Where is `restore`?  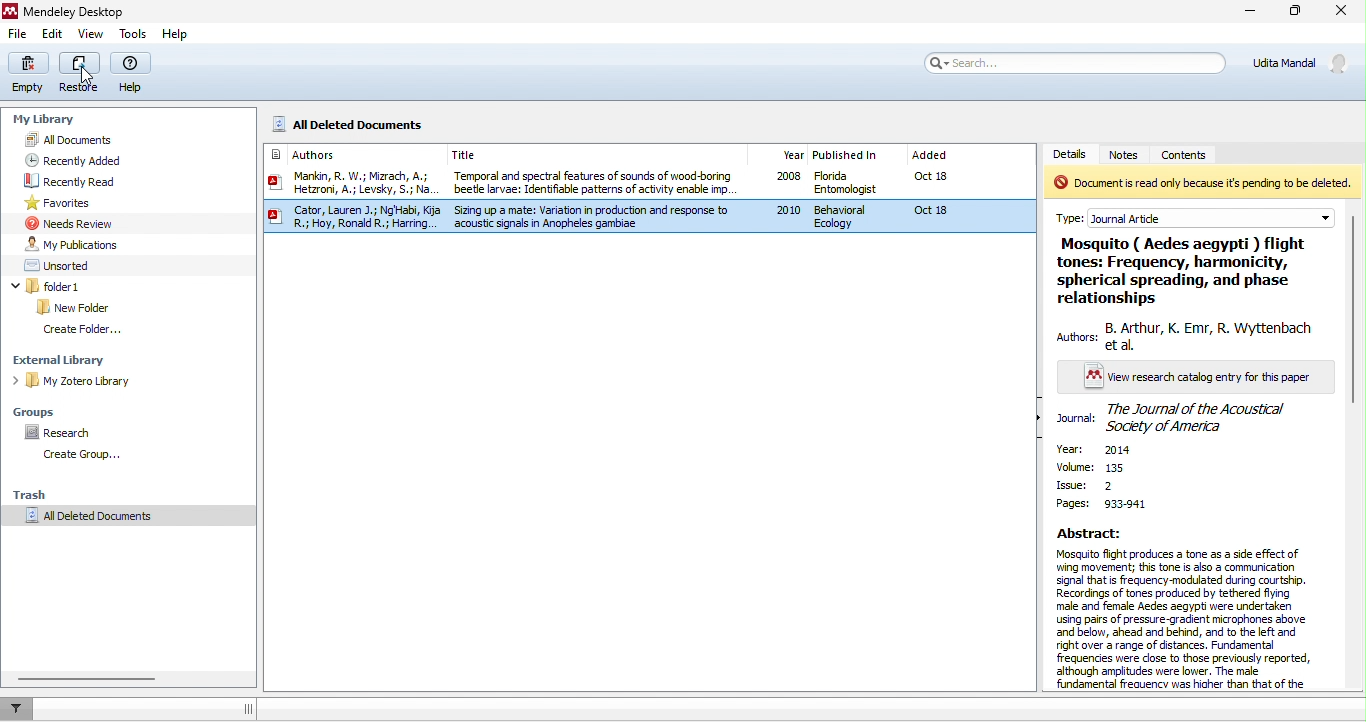
restore is located at coordinates (1298, 13).